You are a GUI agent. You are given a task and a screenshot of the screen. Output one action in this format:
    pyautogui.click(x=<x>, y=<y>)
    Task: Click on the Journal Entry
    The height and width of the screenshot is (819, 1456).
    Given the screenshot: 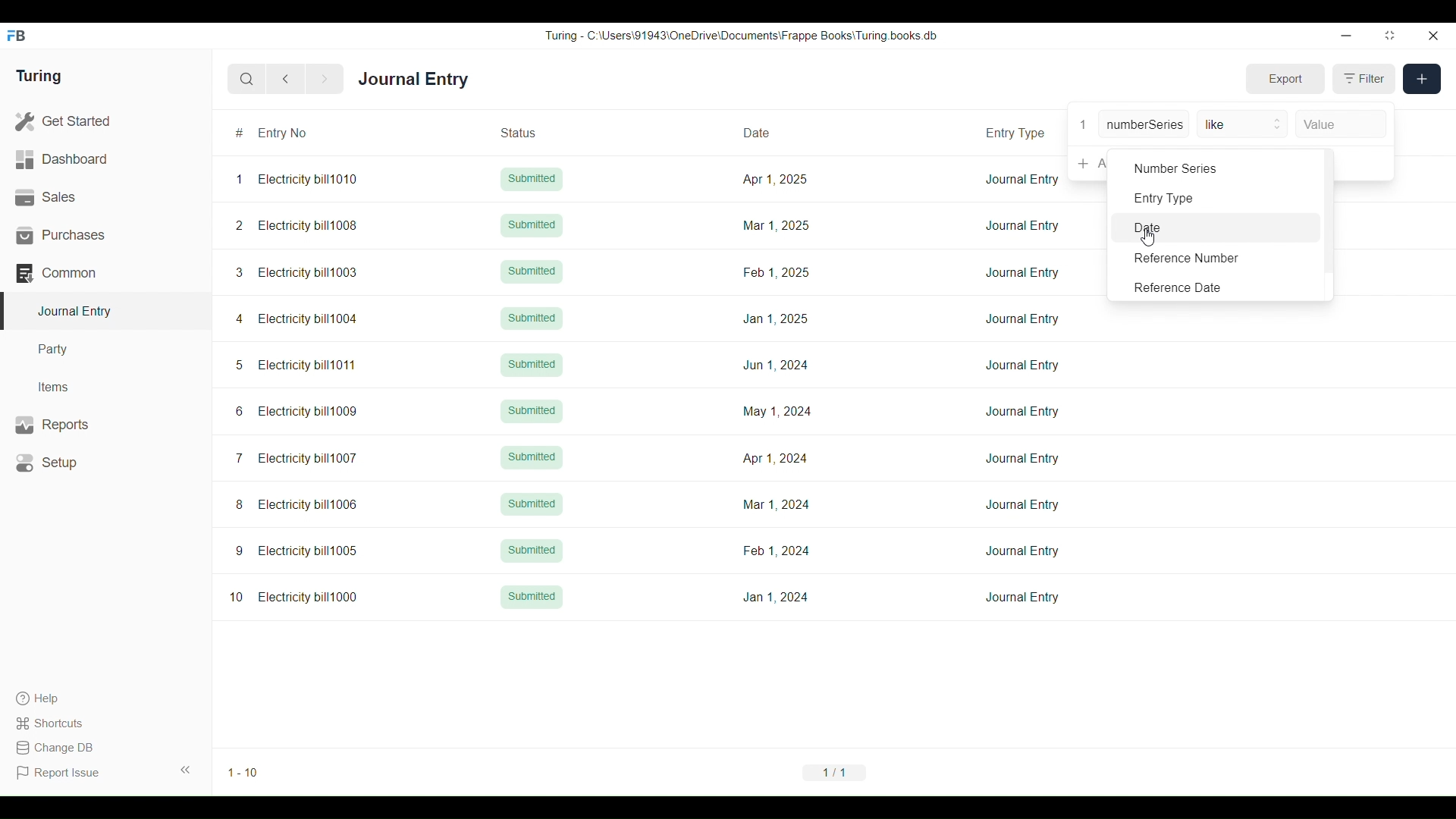 What is the action you would take?
    pyautogui.click(x=413, y=78)
    